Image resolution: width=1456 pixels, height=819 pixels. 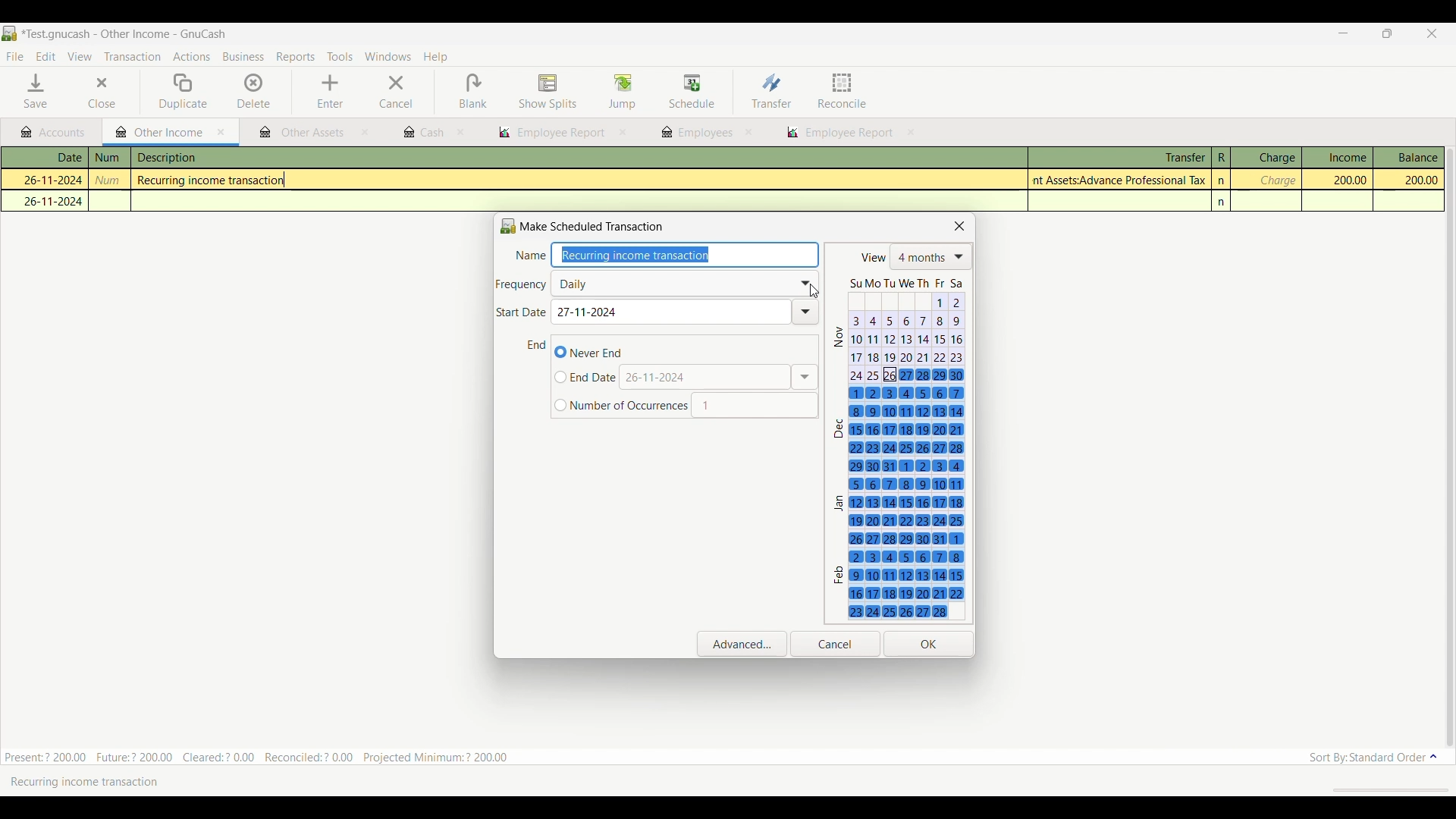 What do you see at coordinates (14, 57) in the screenshot?
I see `File menu` at bounding box center [14, 57].